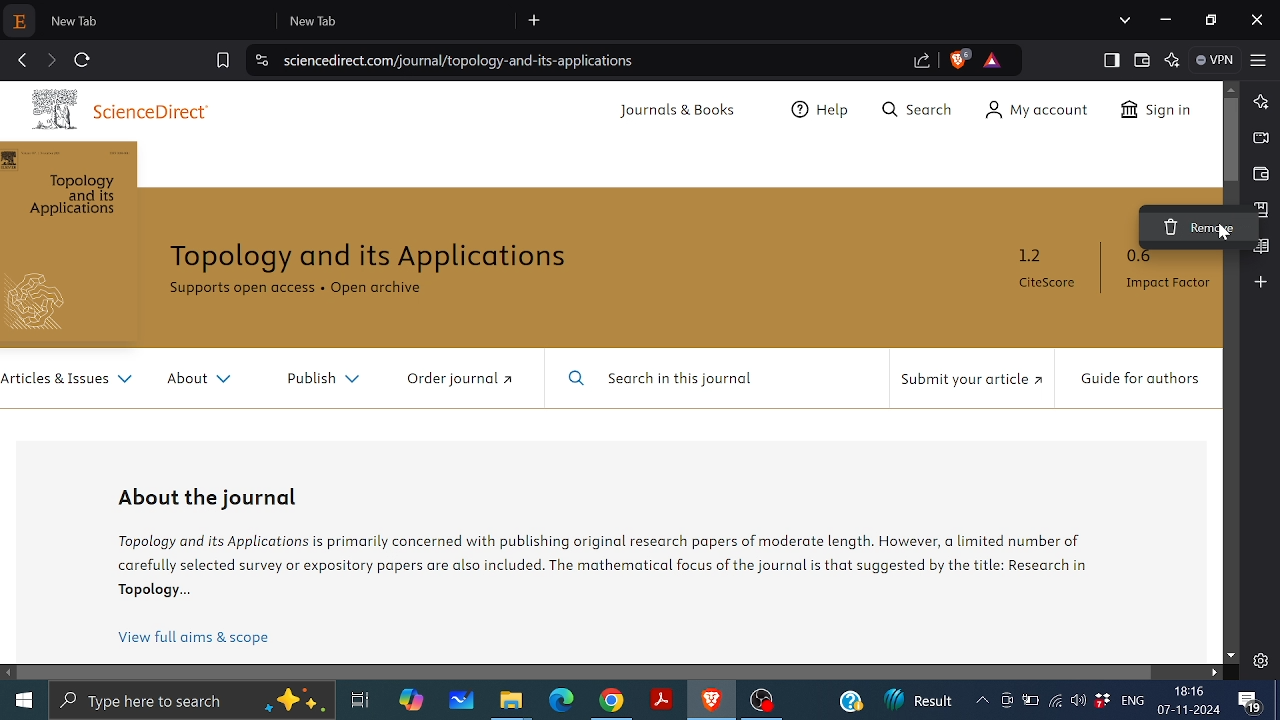  What do you see at coordinates (1260, 247) in the screenshot?
I see `Reading list` at bounding box center [1260, 247].